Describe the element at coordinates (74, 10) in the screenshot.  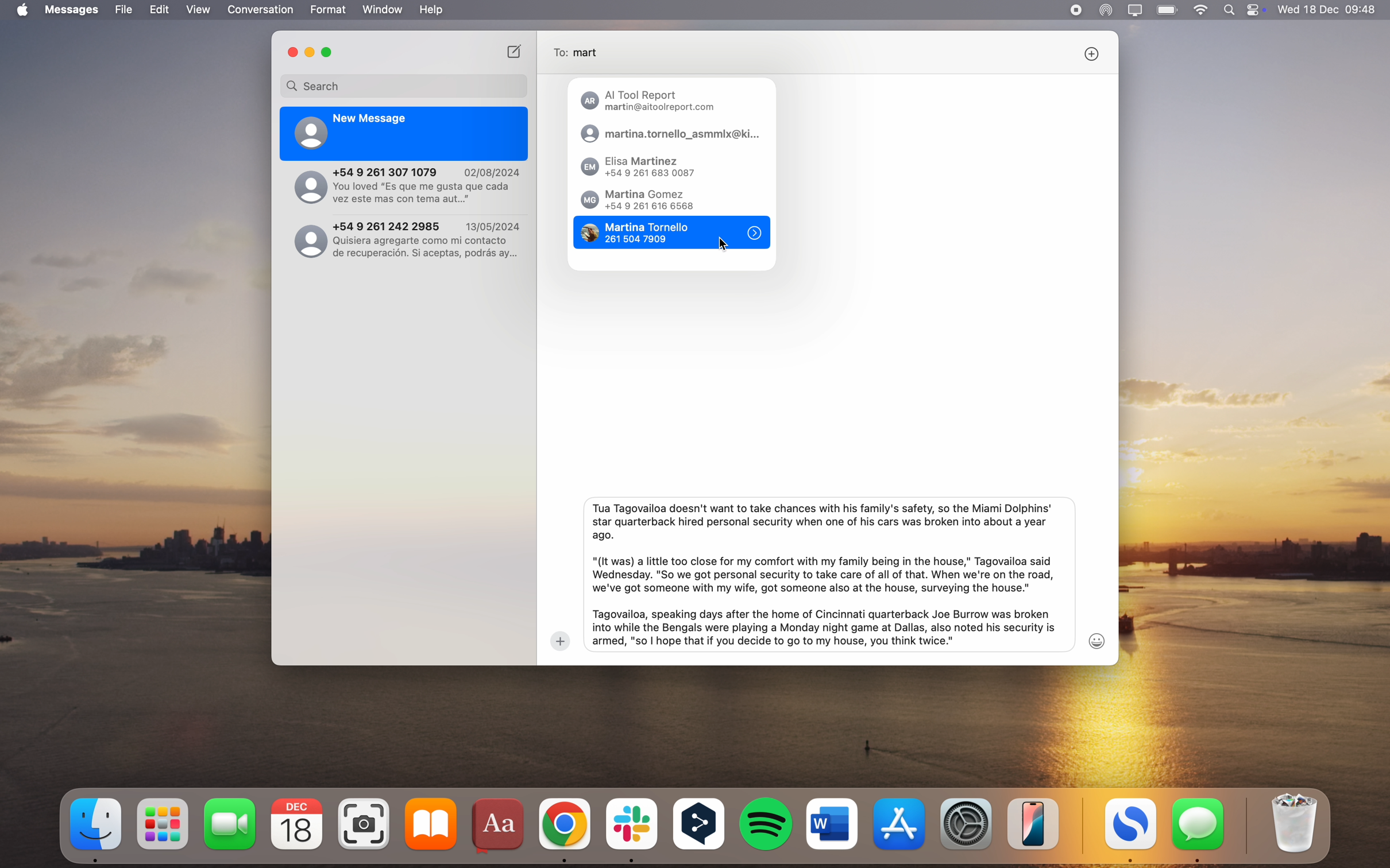
I see `messages` at that location.